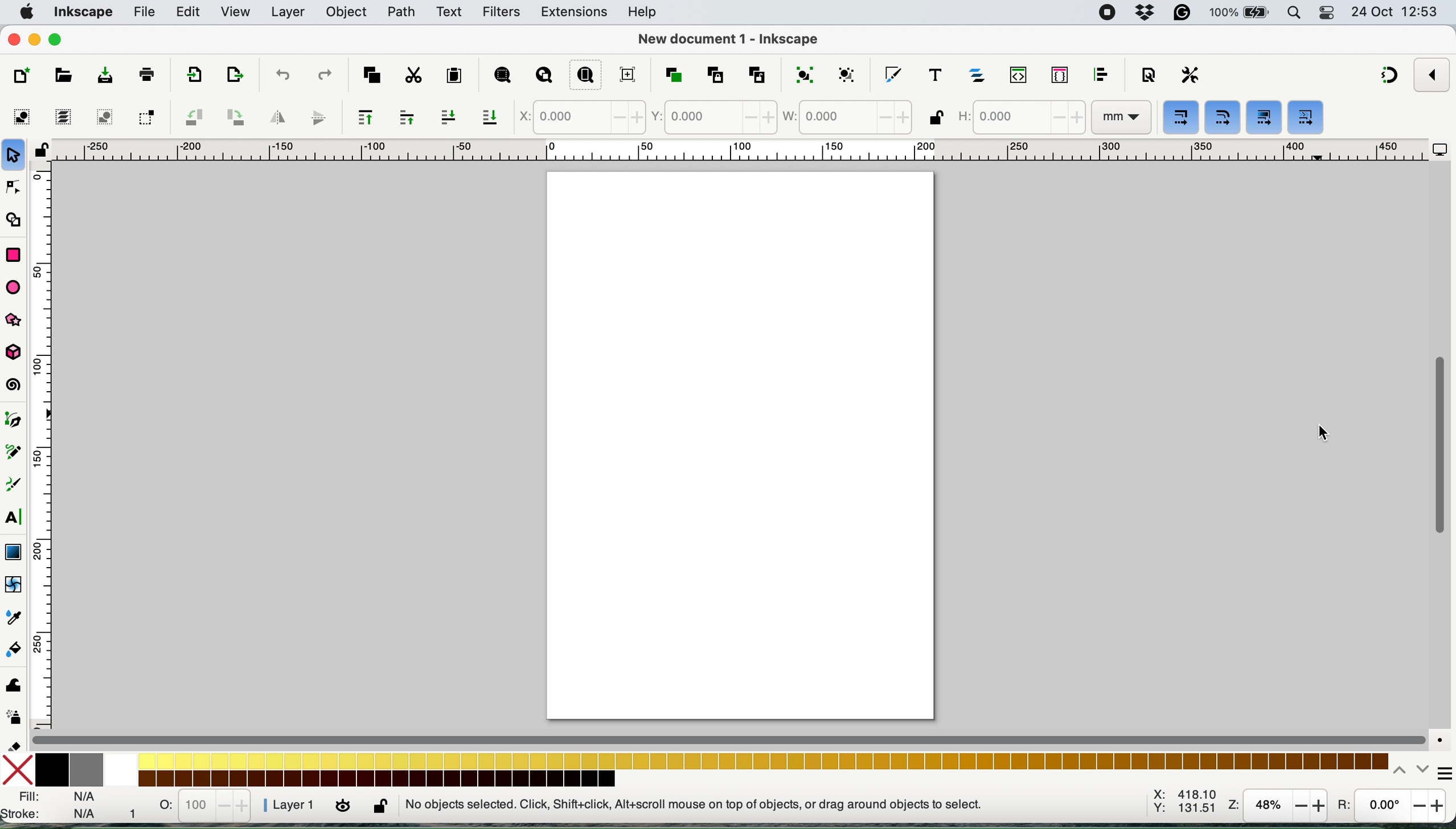 The height and width of the screenshot is (829, 1456). What do you see at coordinates (135, 808) in the screenshot?
I see `1` at bounding box center [135, 808].